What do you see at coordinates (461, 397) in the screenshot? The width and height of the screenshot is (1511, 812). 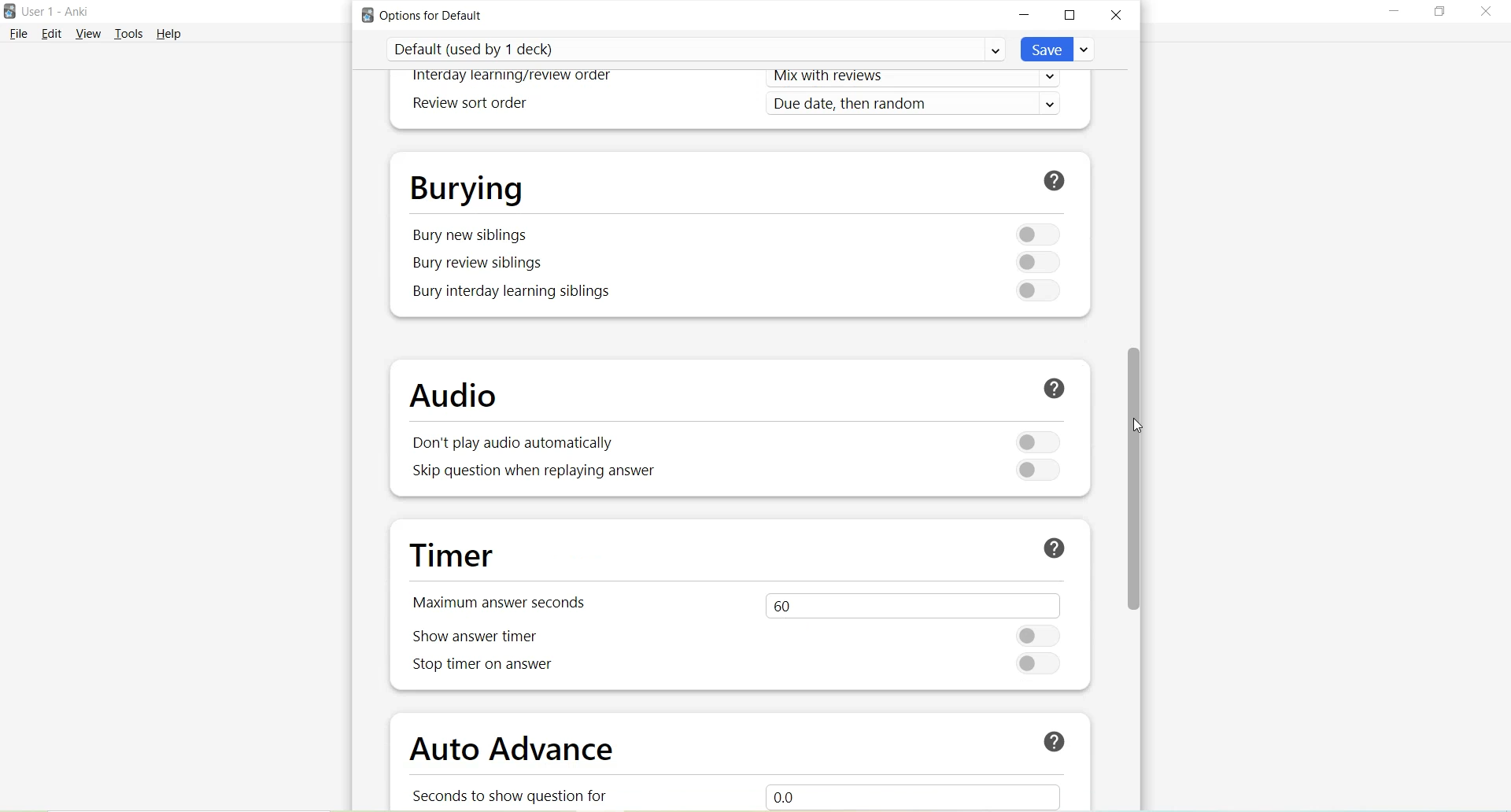 I see `Audio` at bounding box center [461, 397].